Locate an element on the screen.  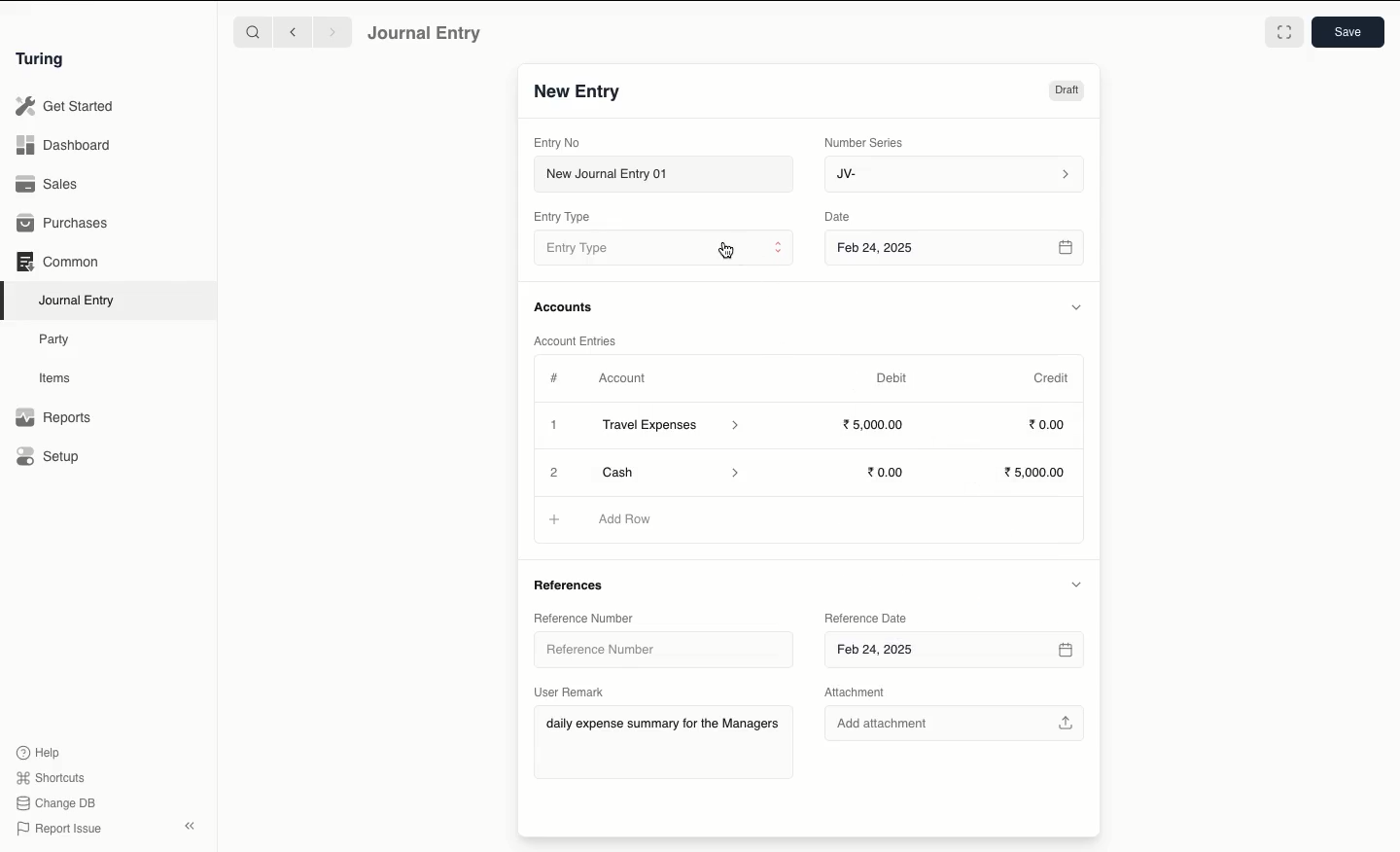
Turing is located at coordinates (44, 60).